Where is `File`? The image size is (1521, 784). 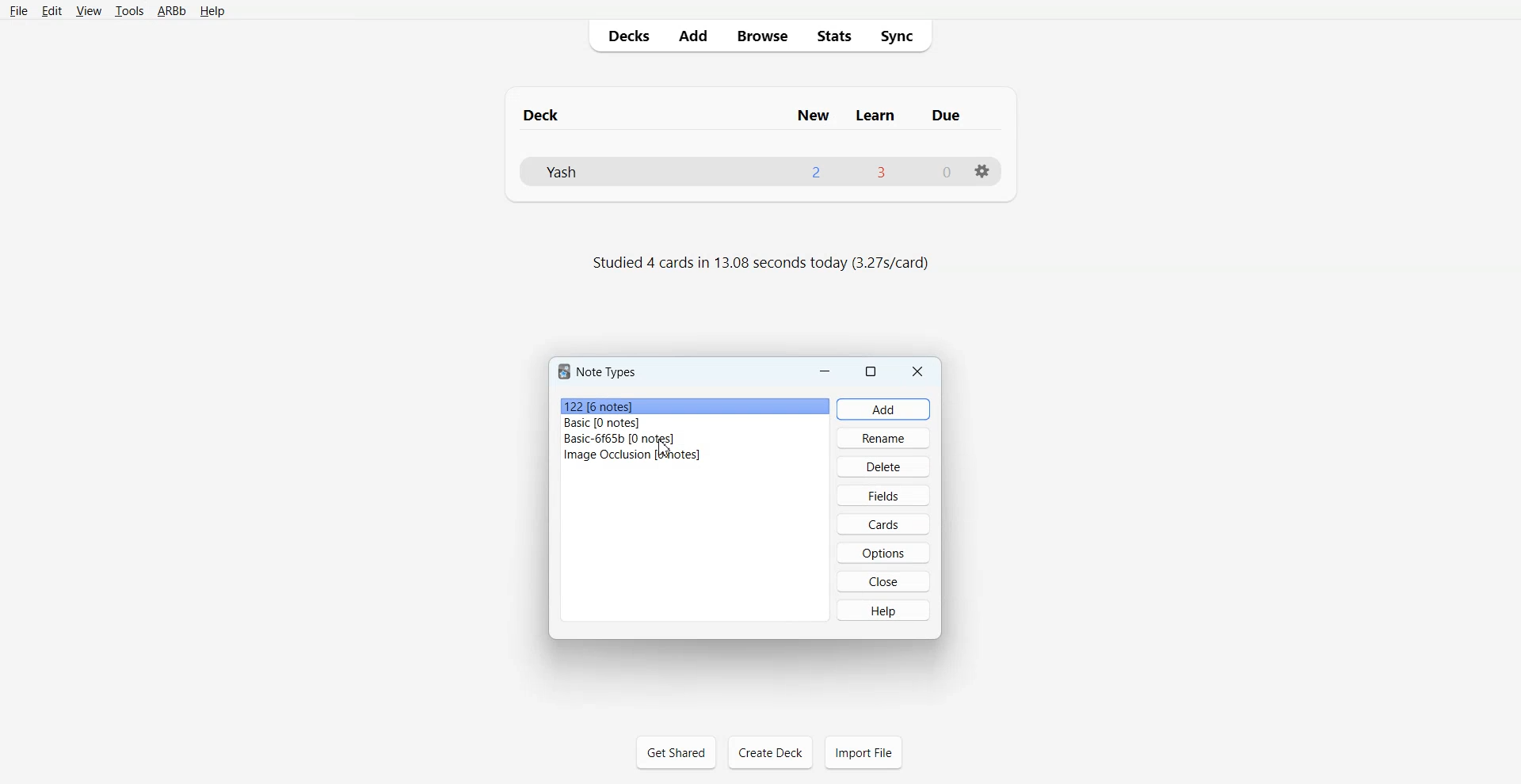 File is located at coordinates (696, 405).